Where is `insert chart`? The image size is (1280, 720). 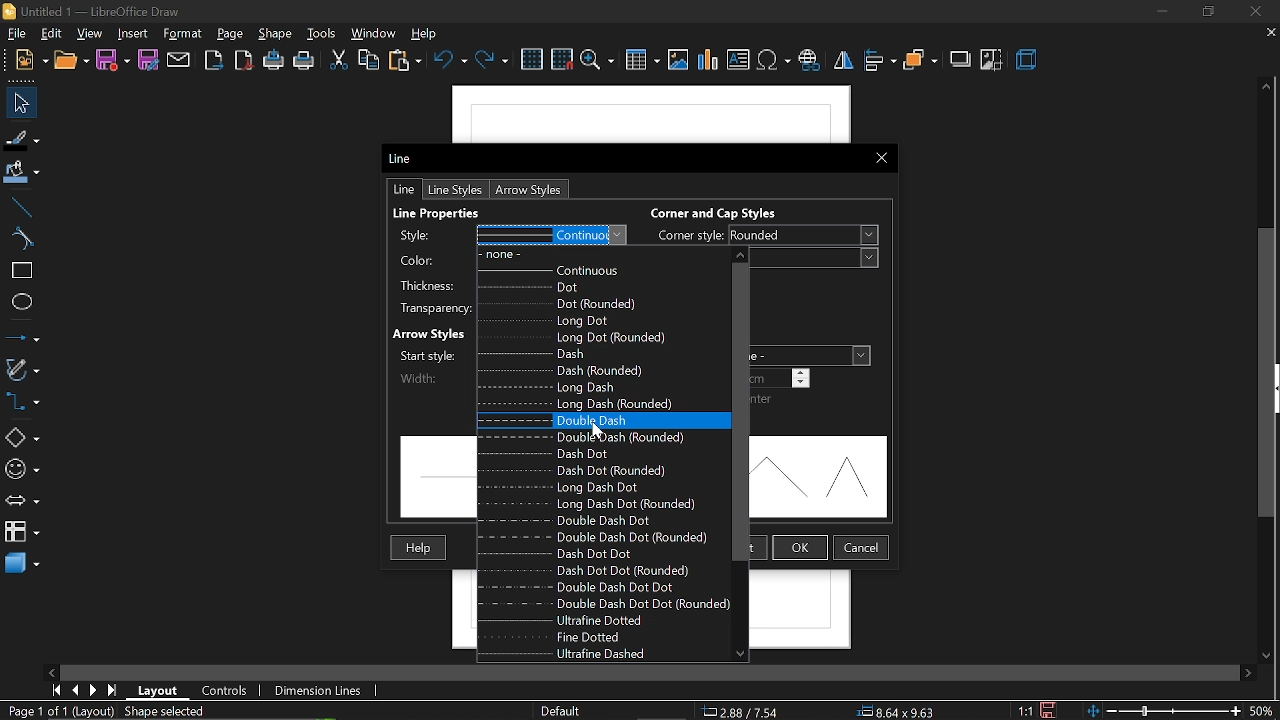 insert chart is located at coordinates (706, 60).